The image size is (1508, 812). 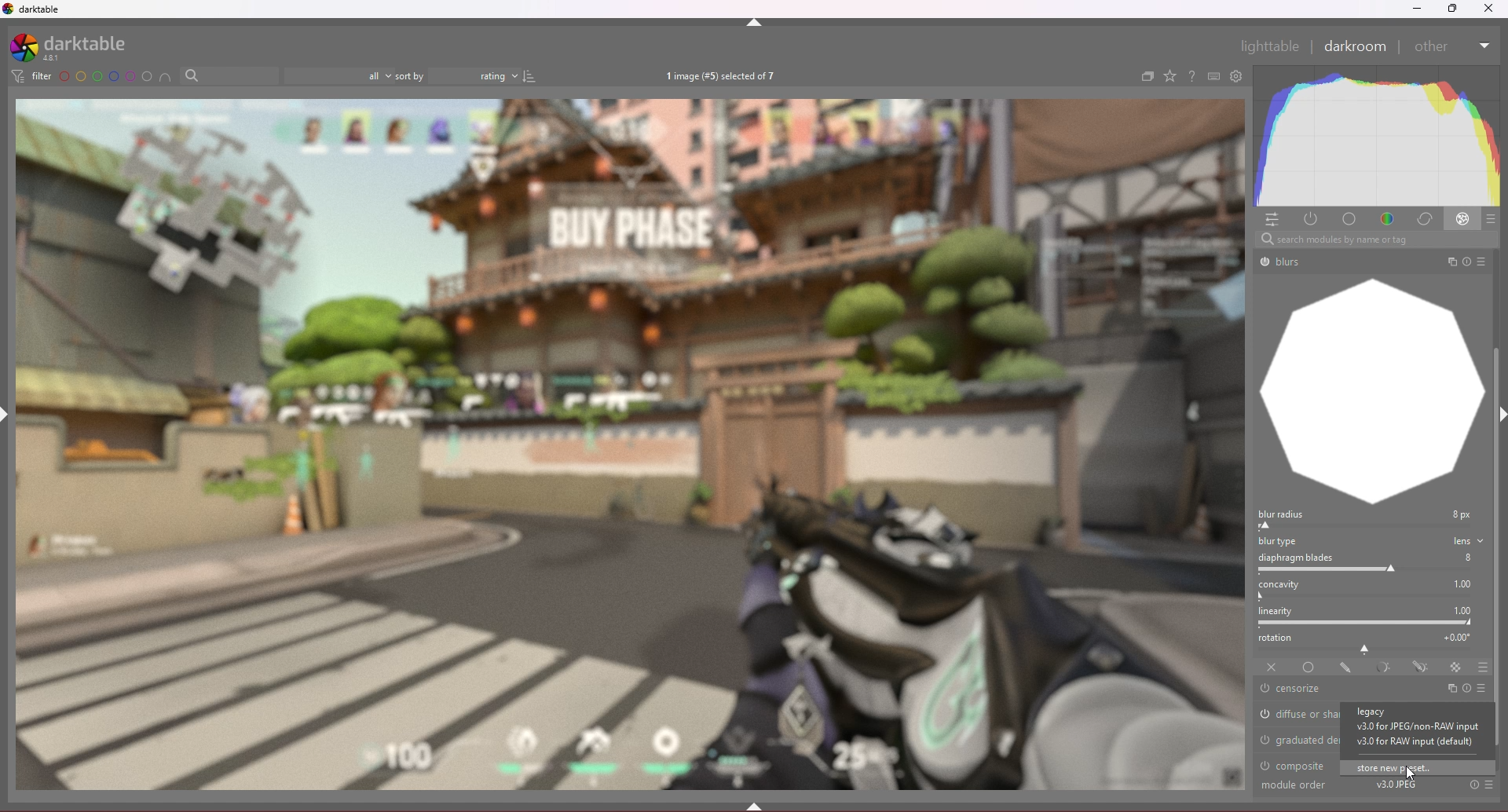 What do you see at coordinates (1281, 263) in the screenshot?
I see `` at bounding box center [1281, 263].